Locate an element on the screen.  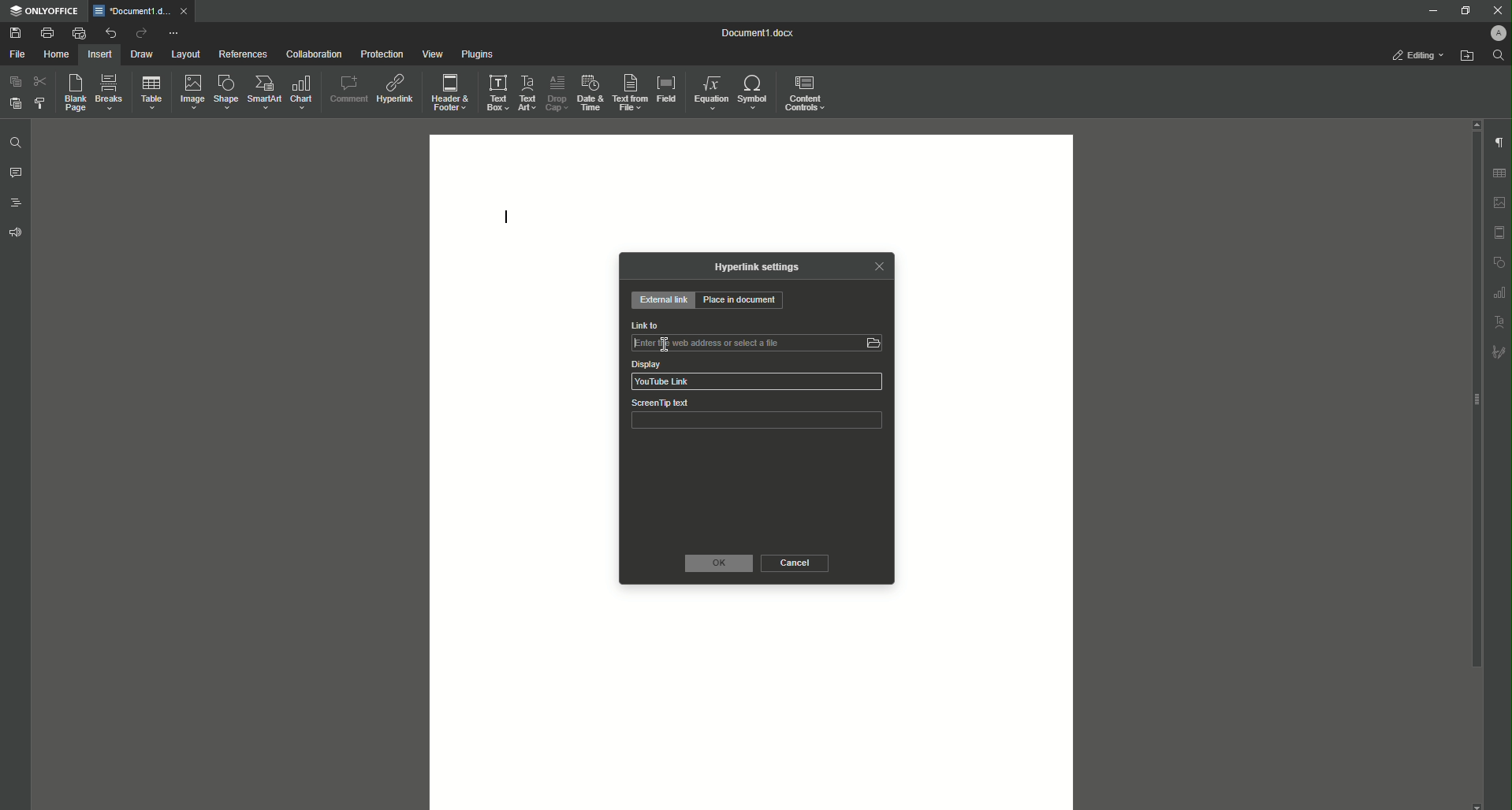
Document1.docx is located at coordinates (762, 32).